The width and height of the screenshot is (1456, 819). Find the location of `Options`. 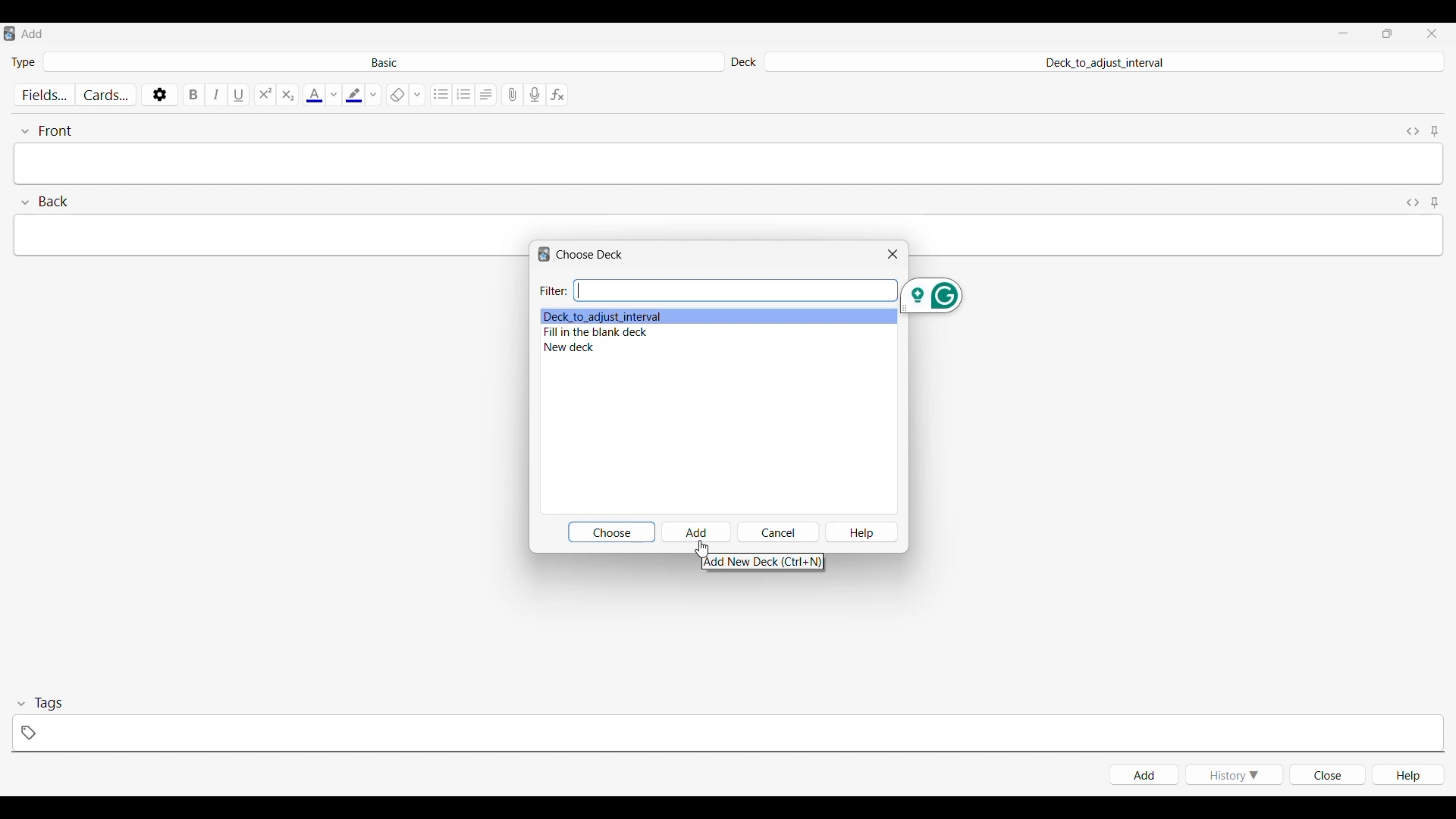

Options is located at coordinates (159, 94).